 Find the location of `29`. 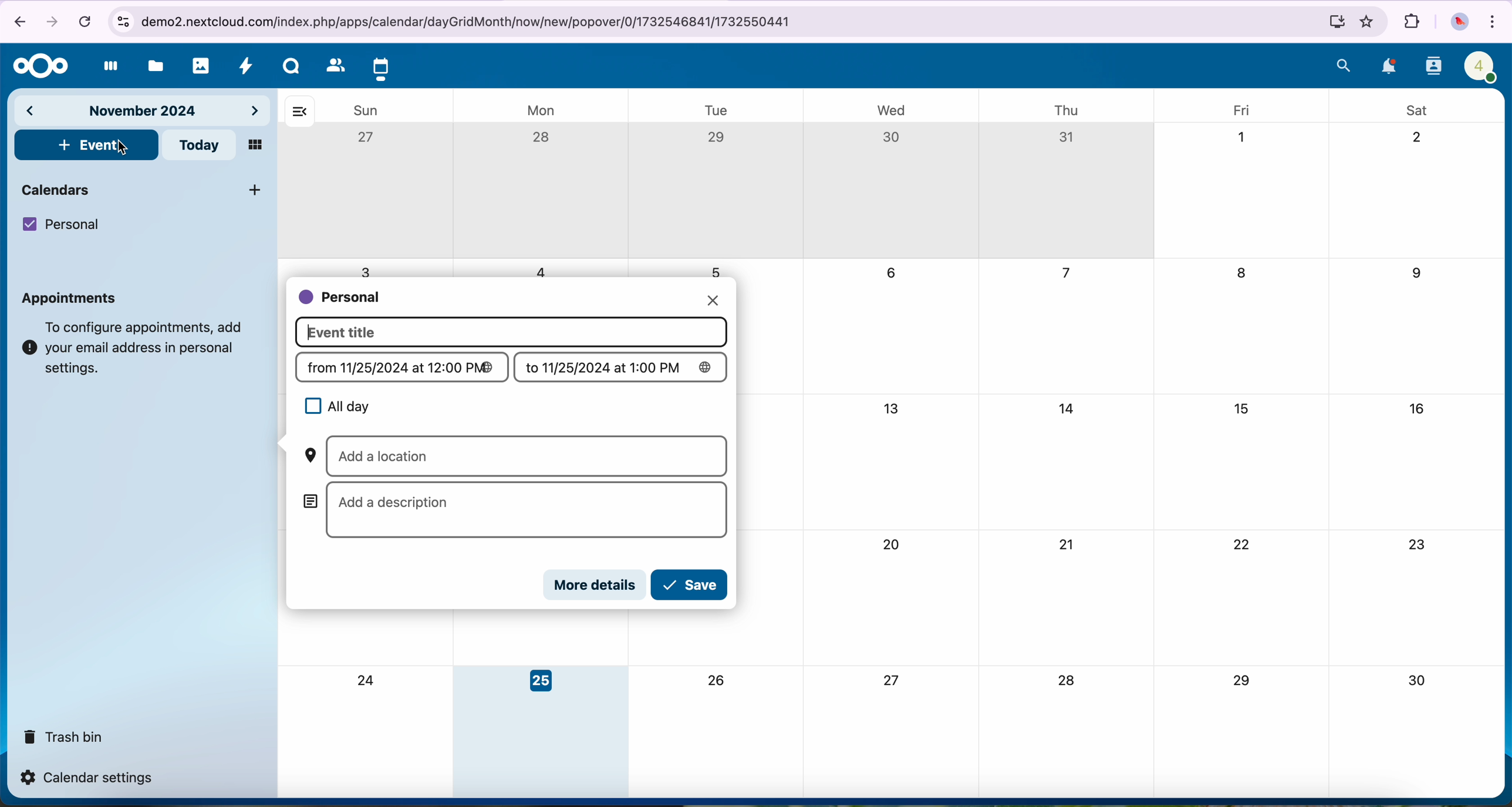

29 is located at coordinates (1240, 681).